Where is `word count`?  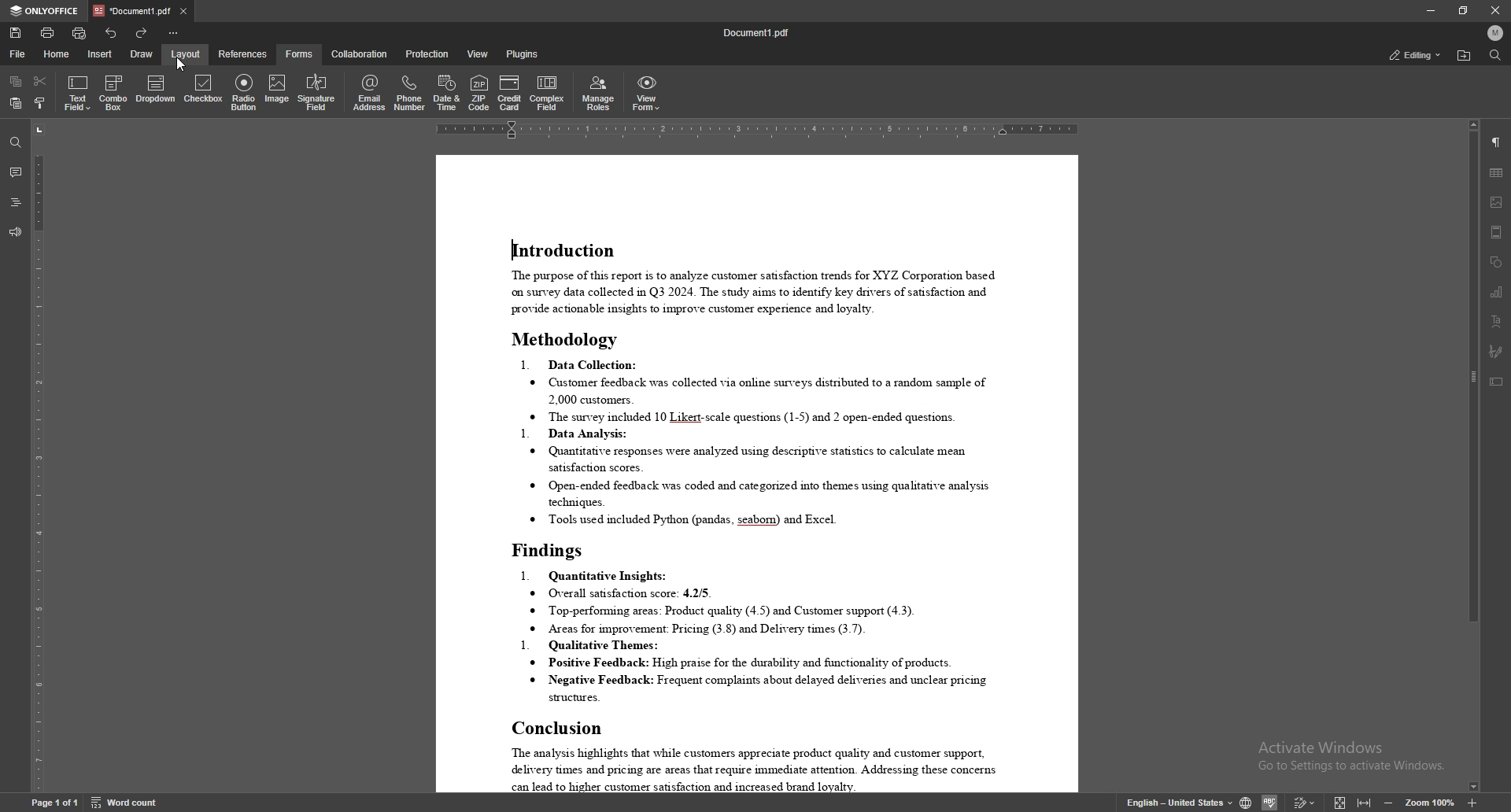 word count is located at coordinates (124, 802).